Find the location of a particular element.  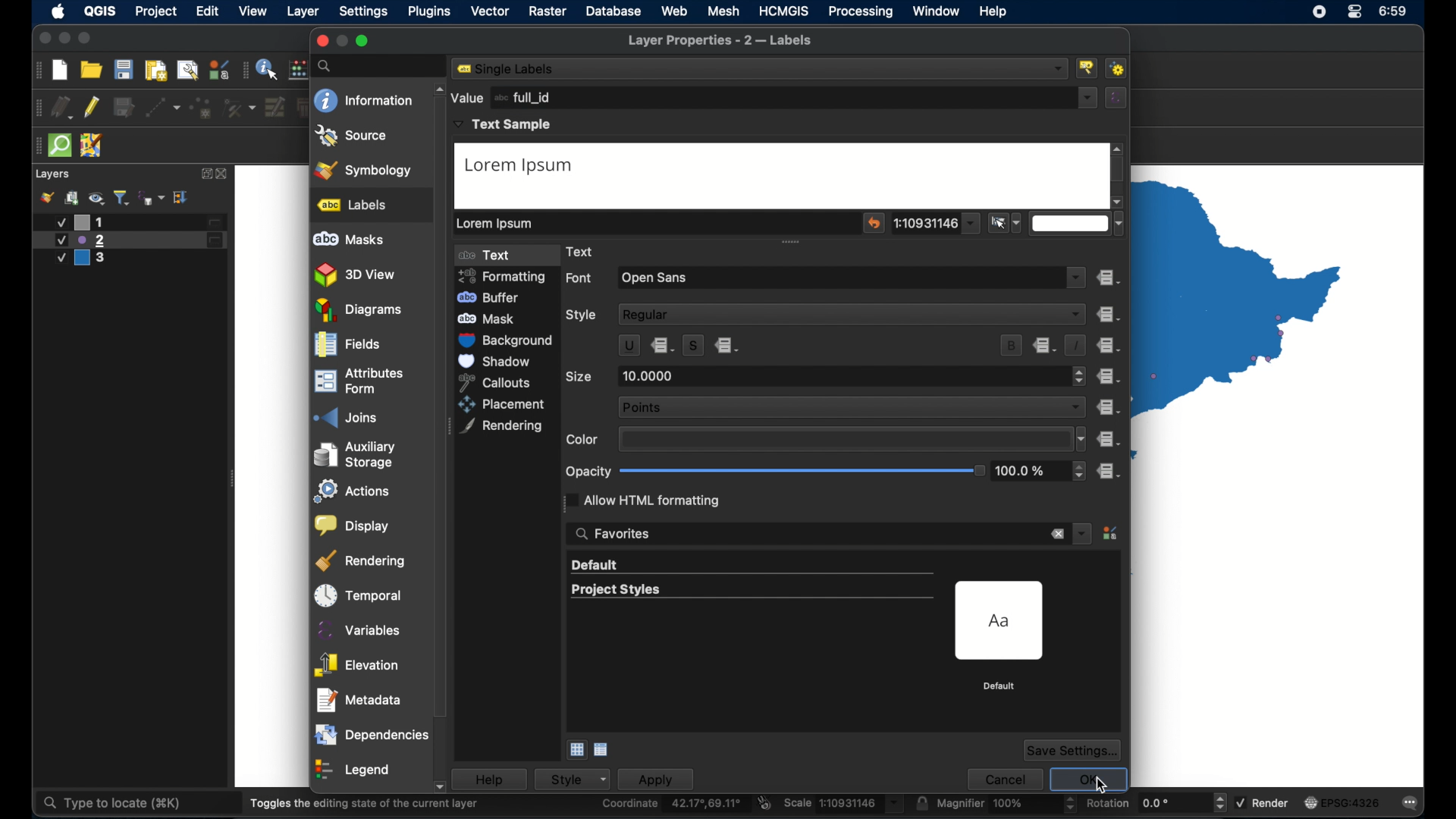

apple icon is located at coordinates (59, 11).